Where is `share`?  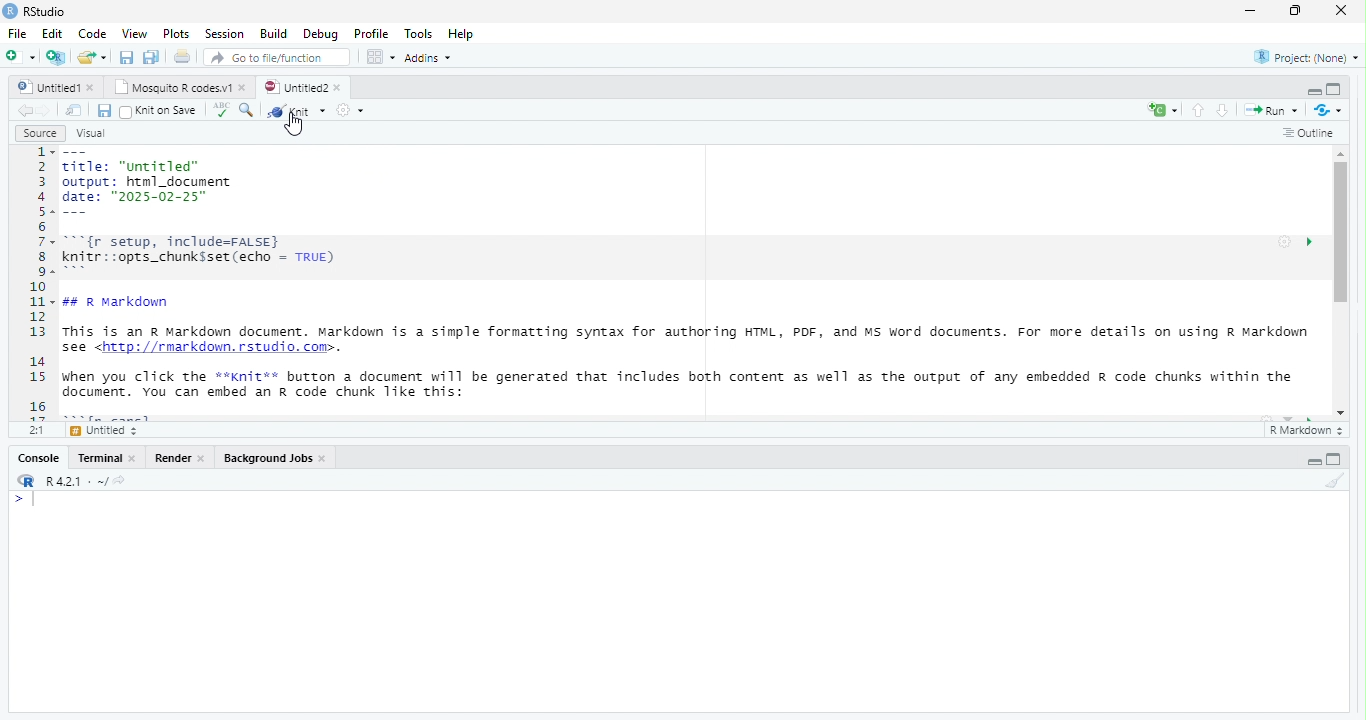
share is located at coordinates (93, 57).